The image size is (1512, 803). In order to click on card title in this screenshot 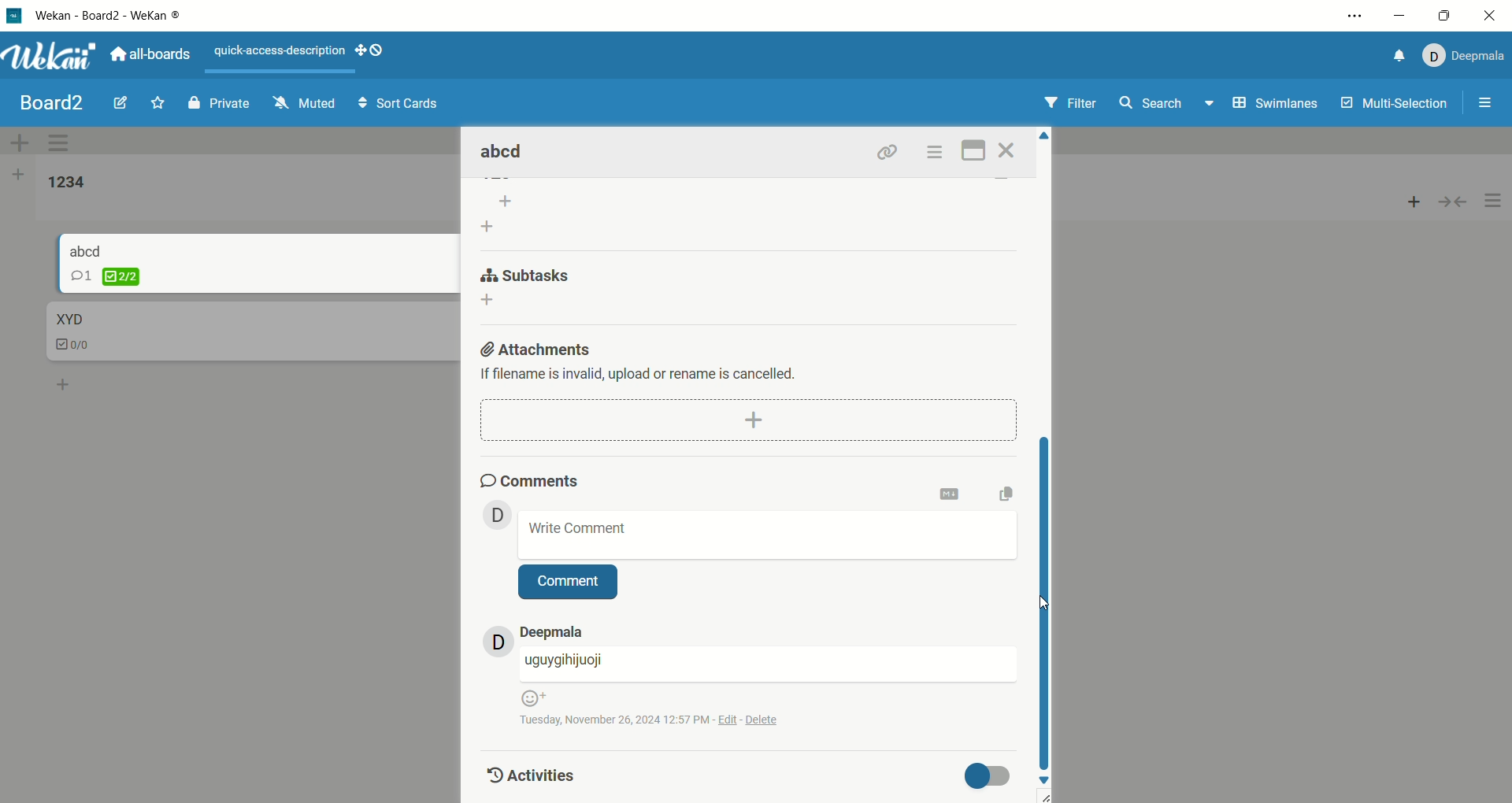, I will do `click(87, 250)`.